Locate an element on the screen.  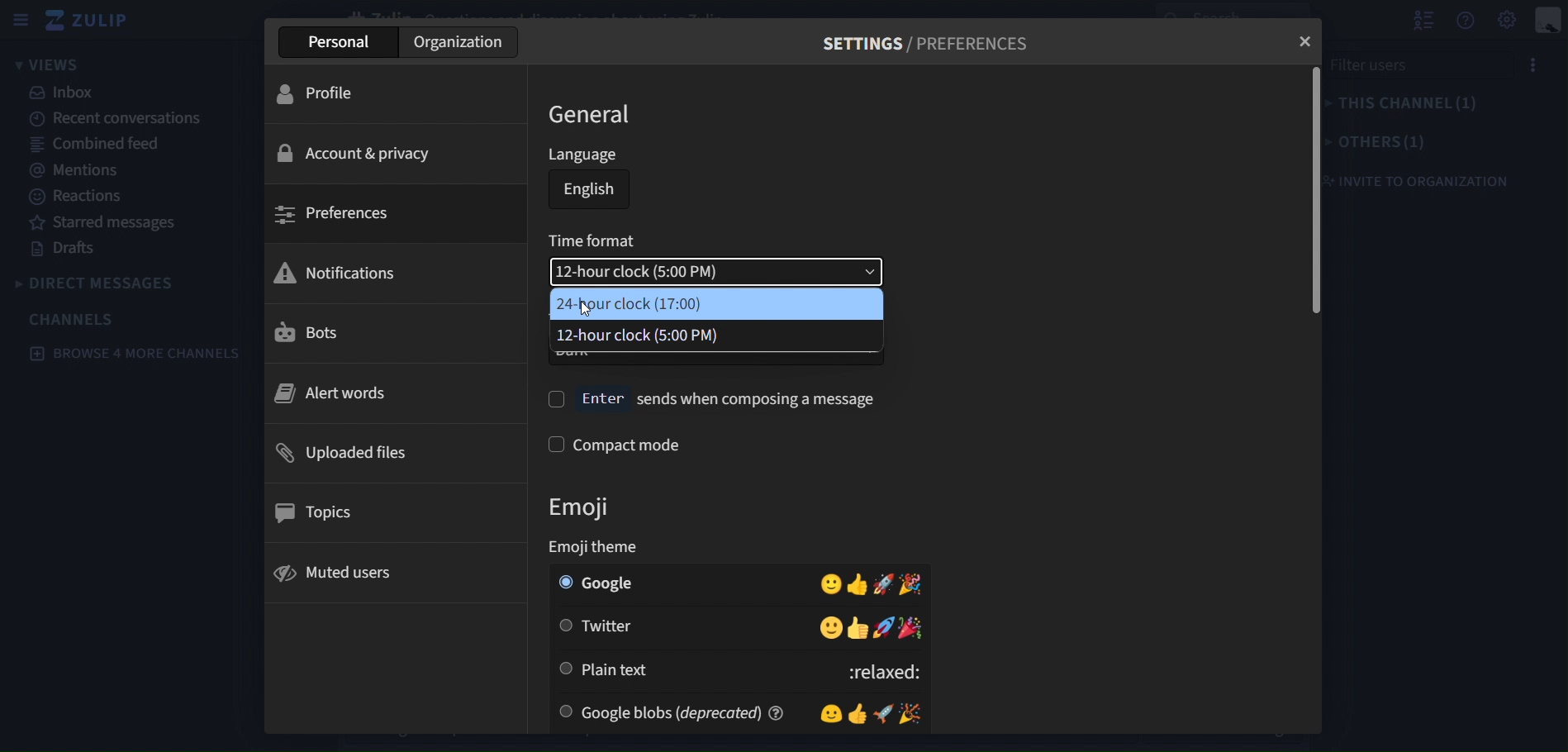
language is located at coordinates (587, 154).